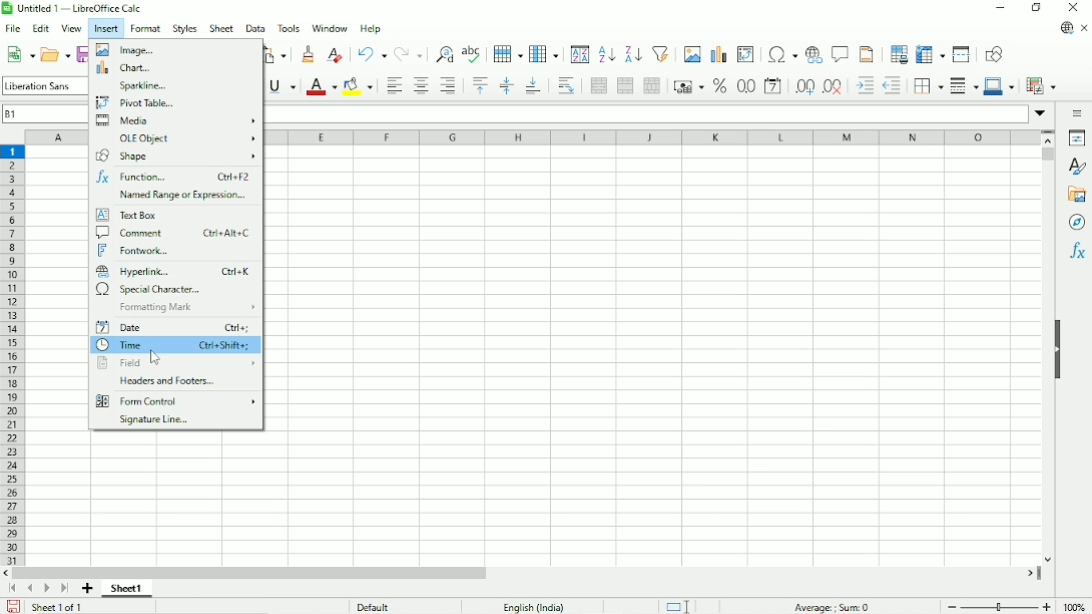  What do you see at coordinates (995, 54) in the screenshot?
I see `Show draw functions ` at bounding box center [995, 54].